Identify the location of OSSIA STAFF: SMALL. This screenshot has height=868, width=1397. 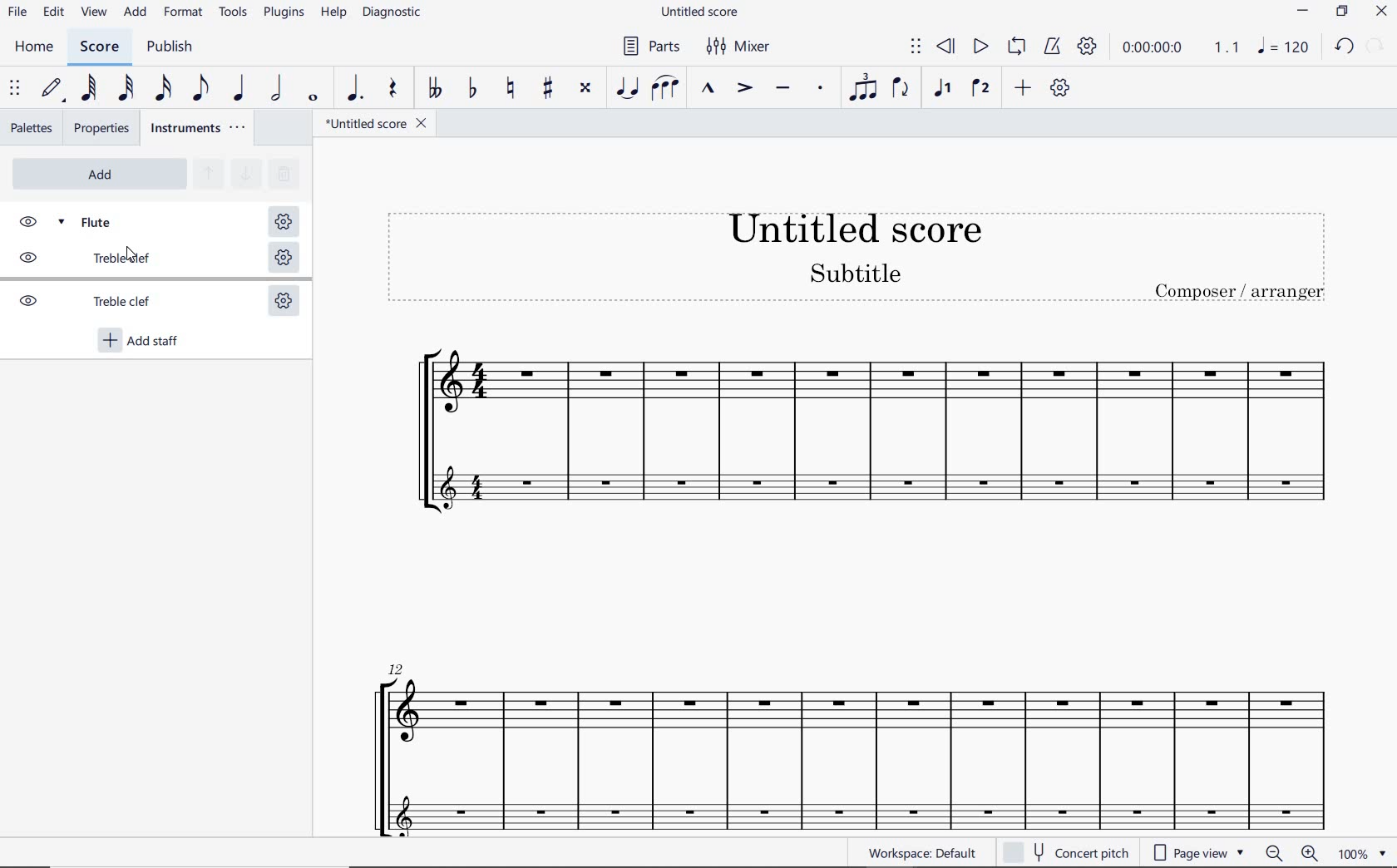
(876, 486).